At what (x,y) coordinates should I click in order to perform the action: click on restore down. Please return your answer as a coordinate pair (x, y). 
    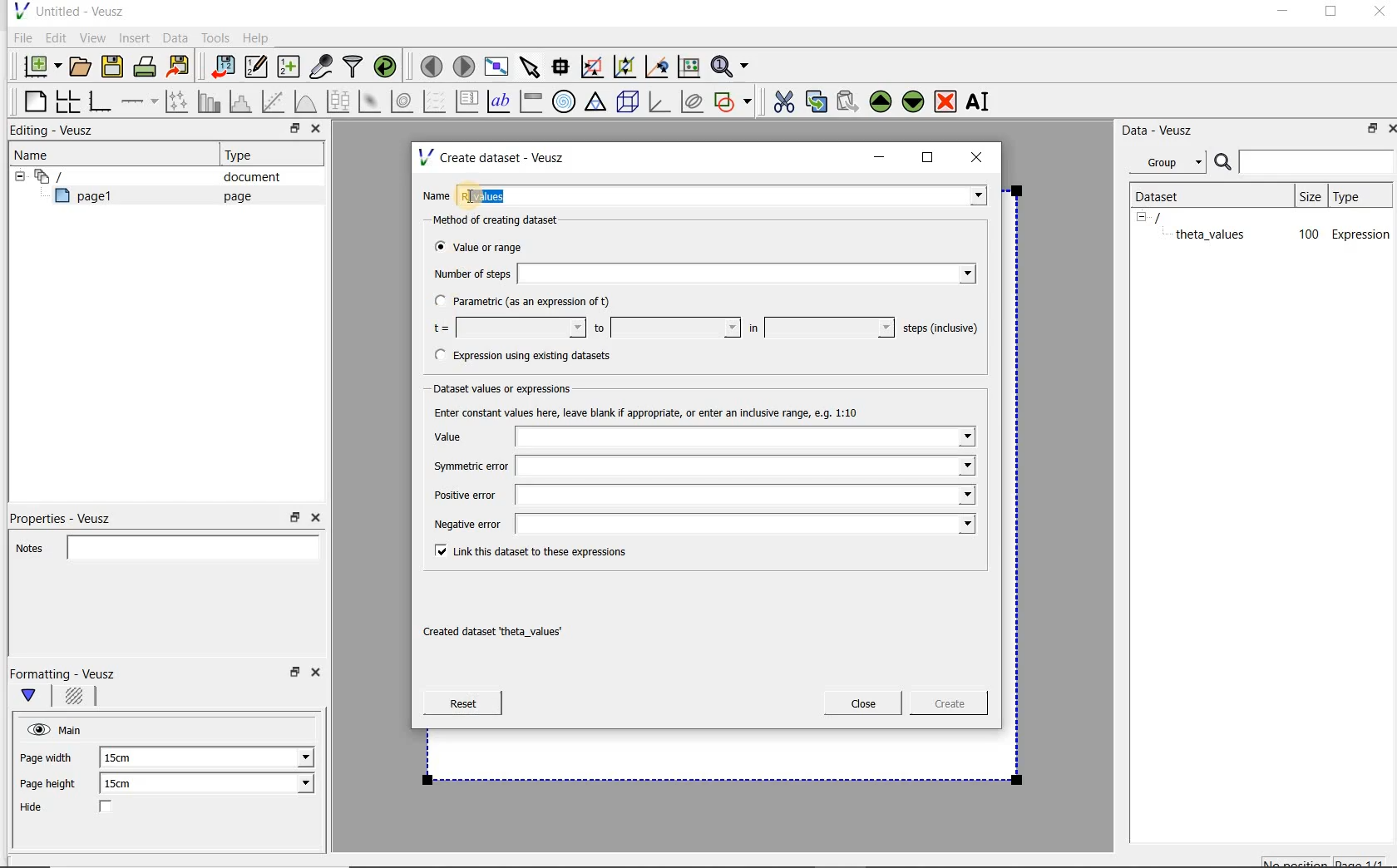
    Looking at the image, I should click on (295, 518).